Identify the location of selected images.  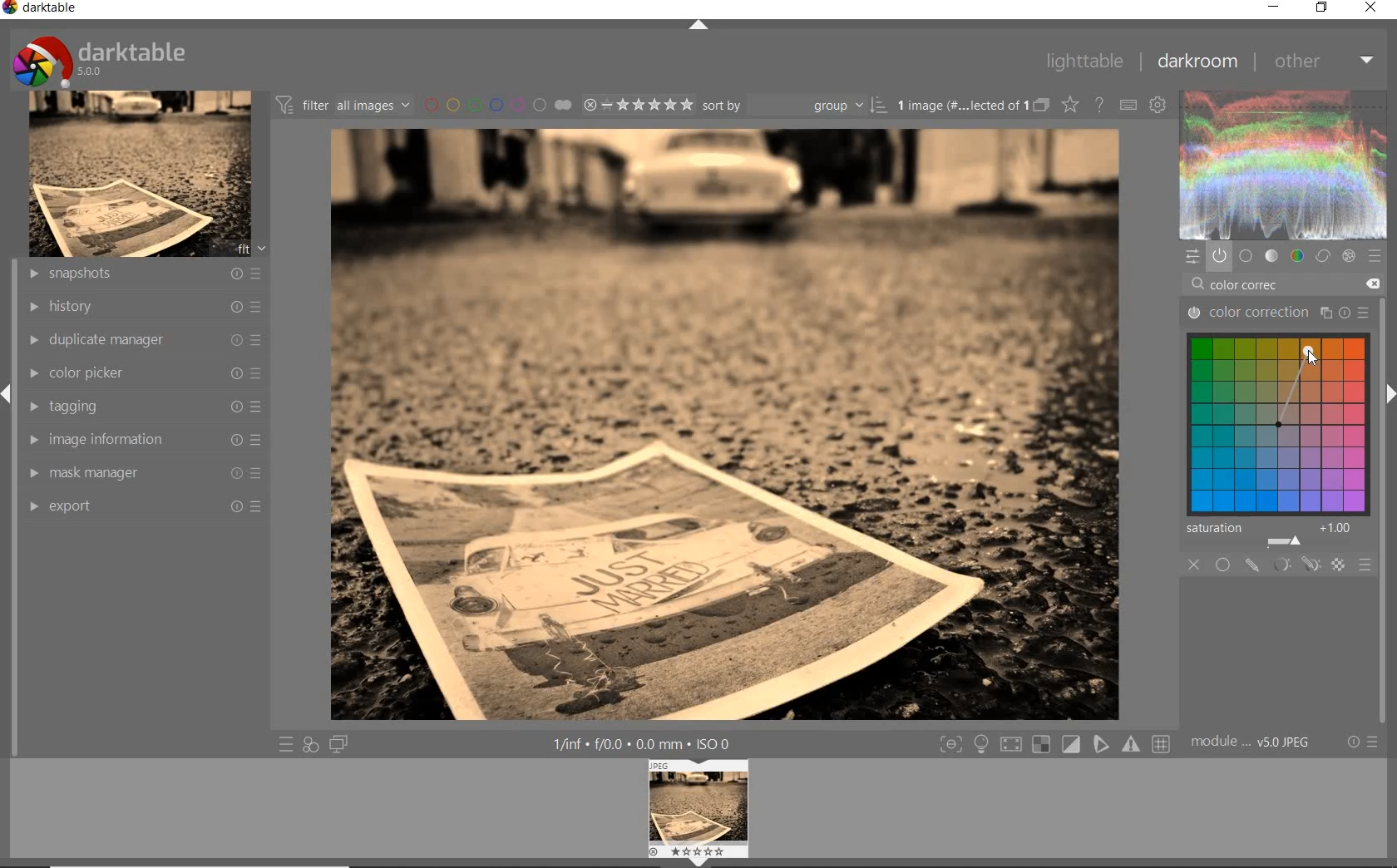
(962, 106).